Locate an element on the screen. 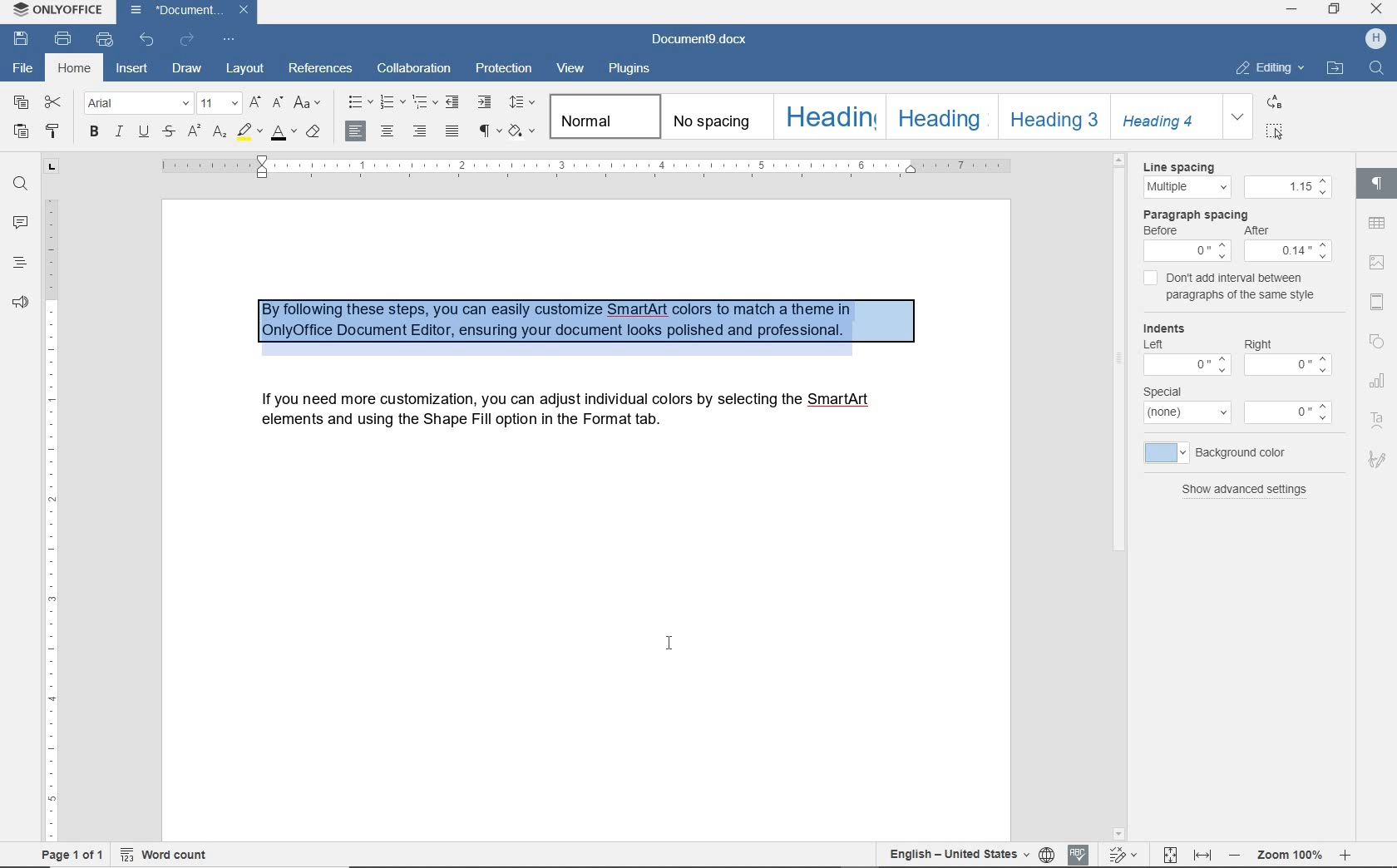  align center is located at coordinates (388, 131).